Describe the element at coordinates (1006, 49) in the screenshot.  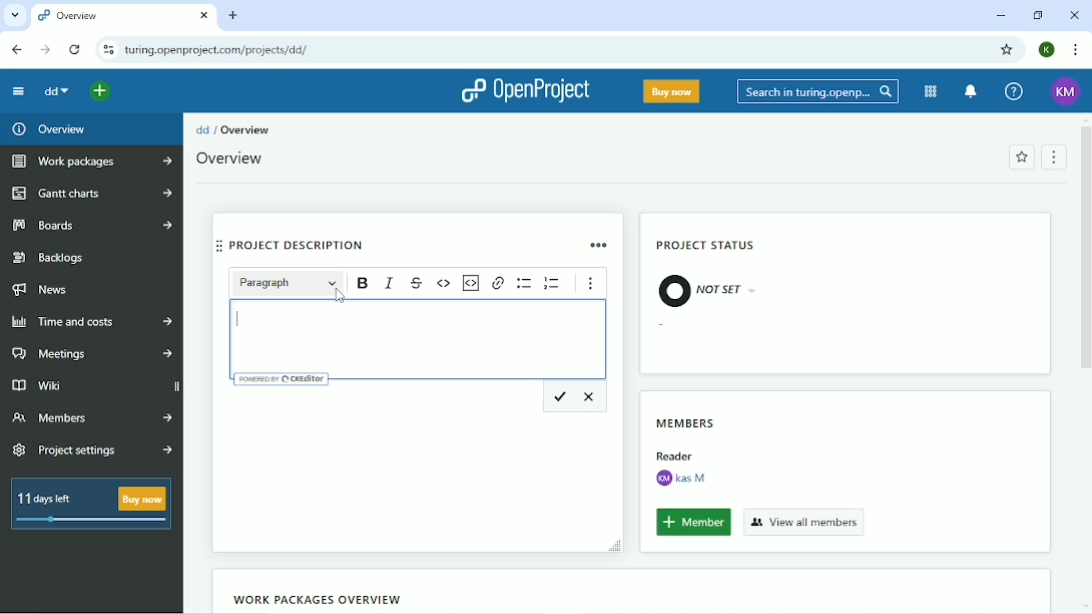
I see `Bookmark this tab` at that location.